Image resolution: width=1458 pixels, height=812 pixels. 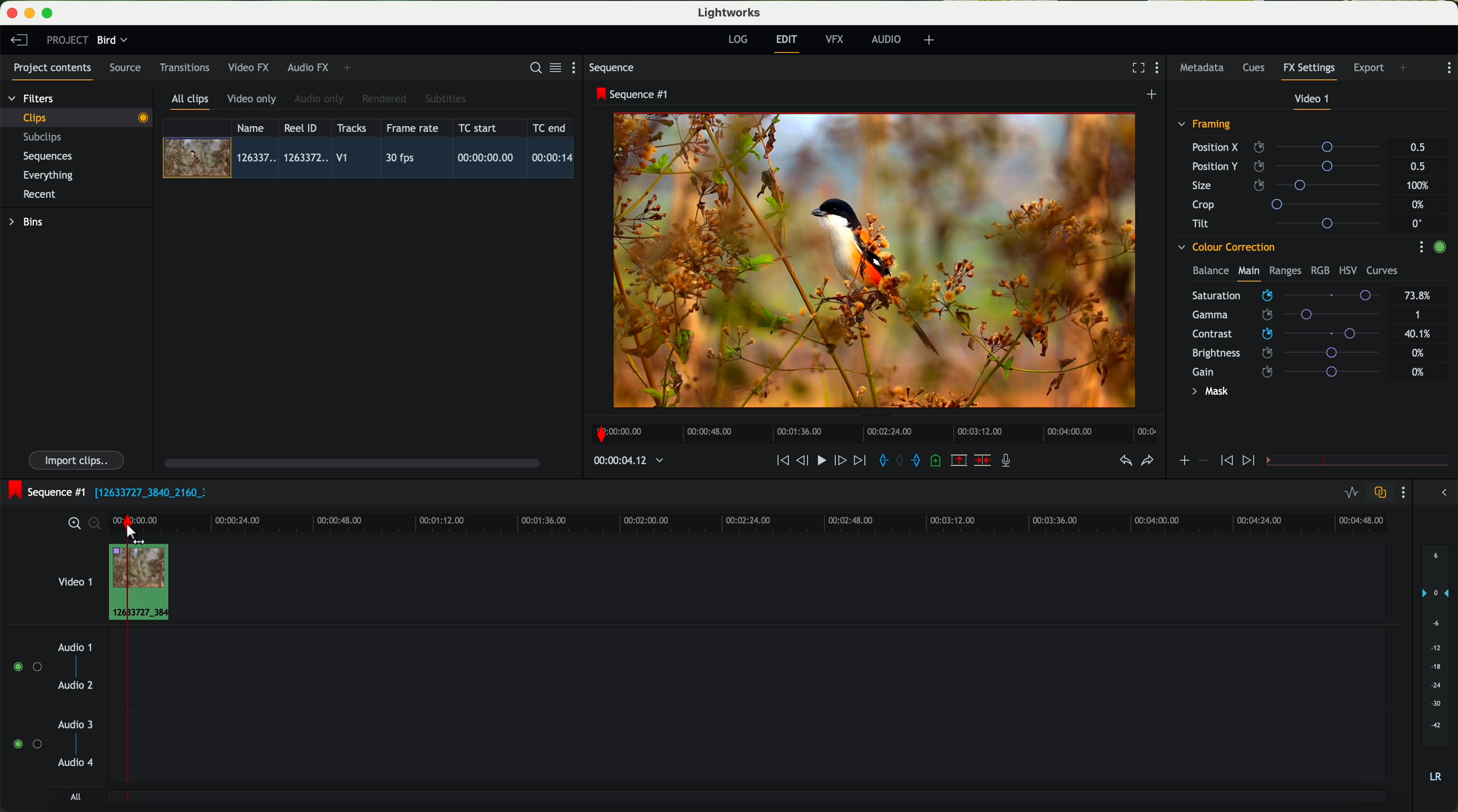 What do you see at coordinates (1289, 186) in the screenshot?
I see `size` at bounding box center [1289, 186].